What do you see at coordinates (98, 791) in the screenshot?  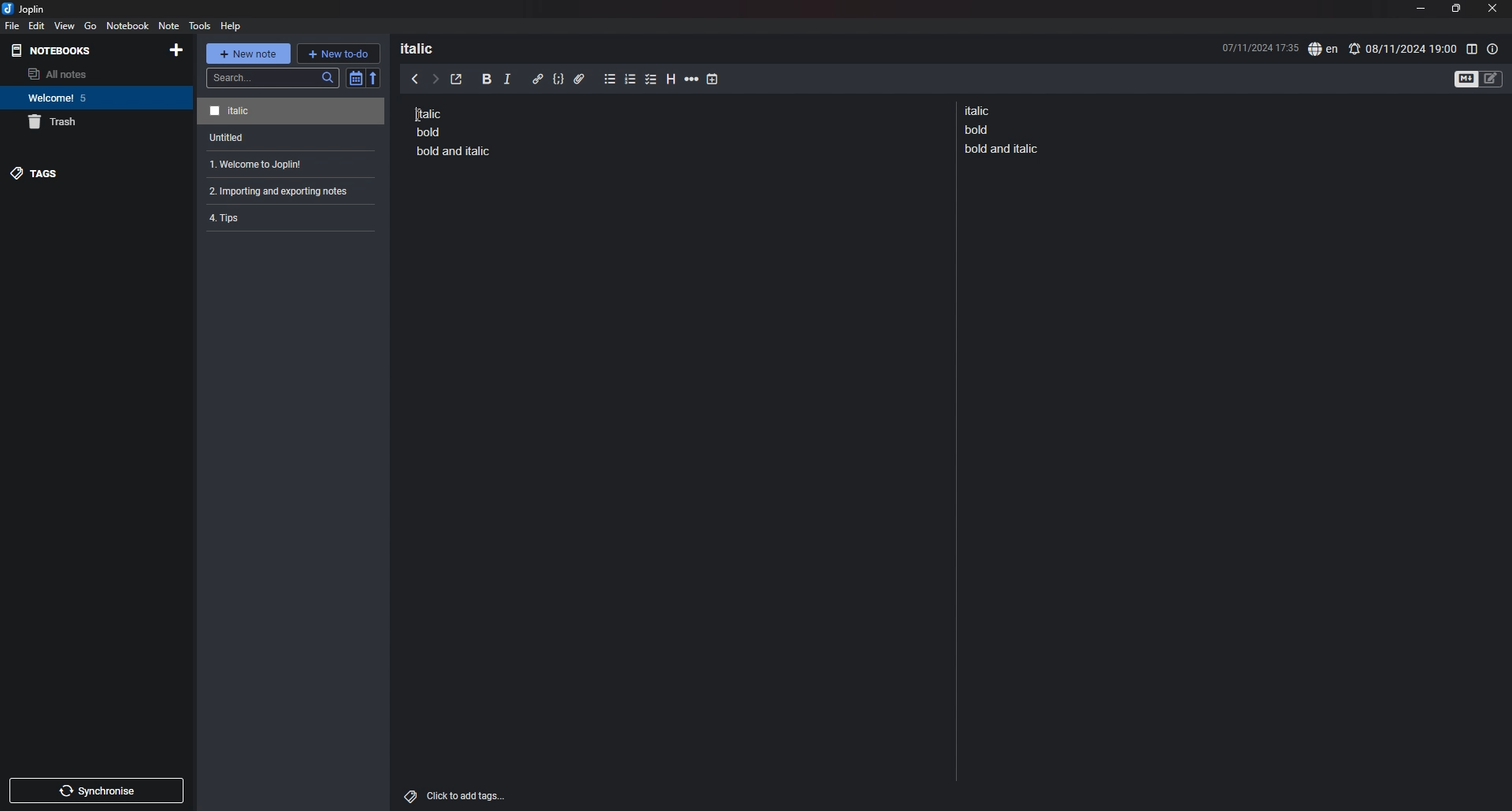 I see `sync` at bounding box center [98, 791].